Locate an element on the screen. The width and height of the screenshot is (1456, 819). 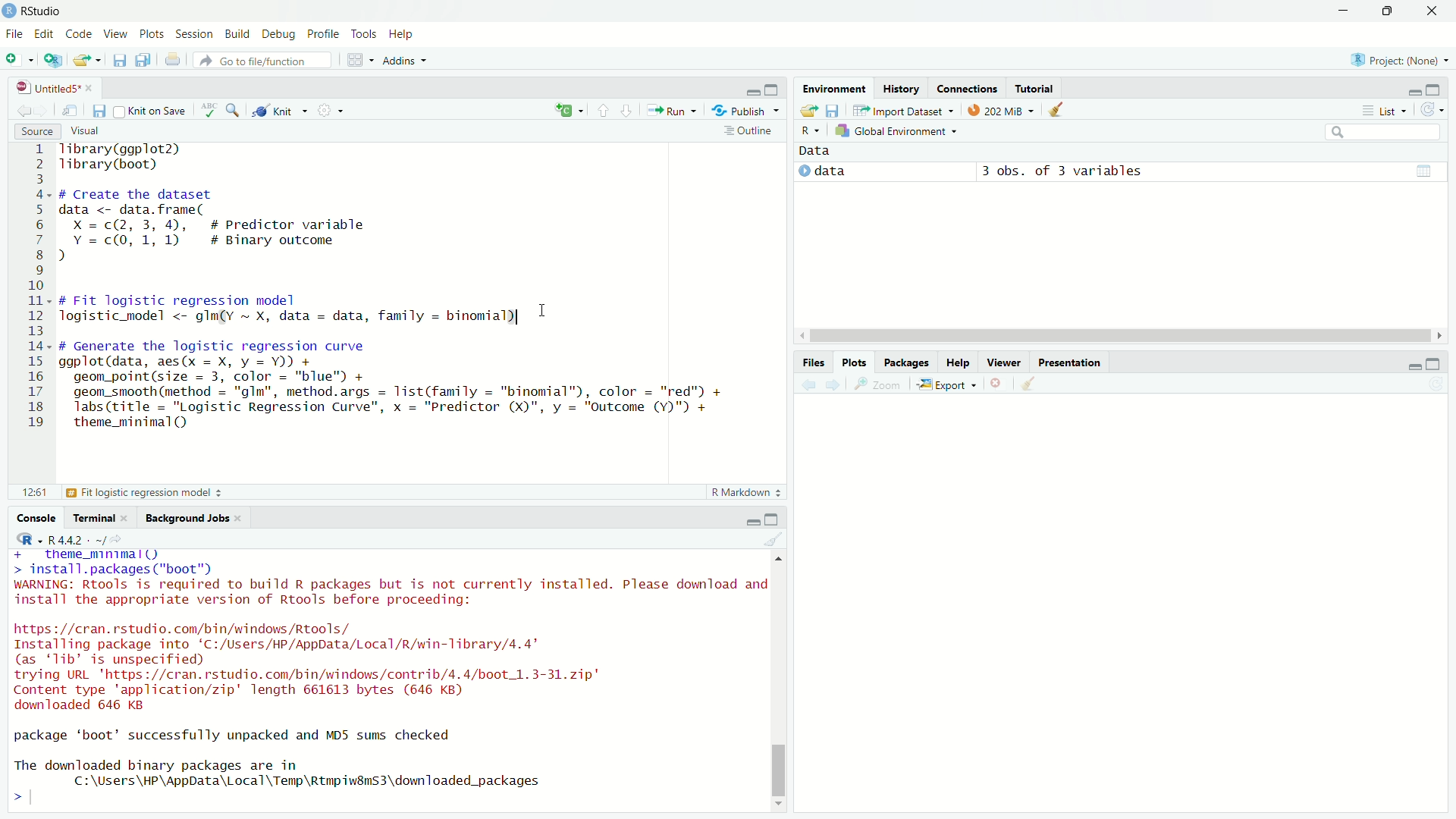
Zoom is located at coordinates (876, 384).